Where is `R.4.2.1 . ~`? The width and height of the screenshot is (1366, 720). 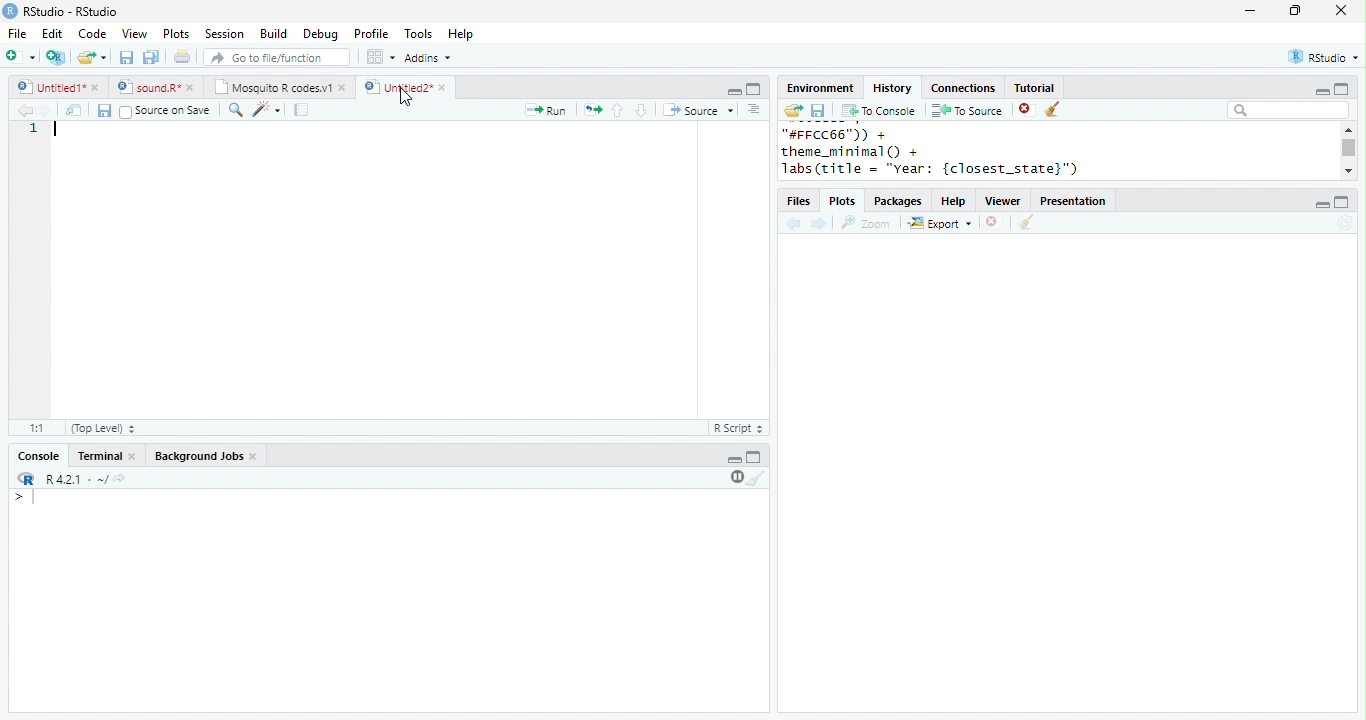 R.4.2.1 . ~ is located at coordinates (75, 478).